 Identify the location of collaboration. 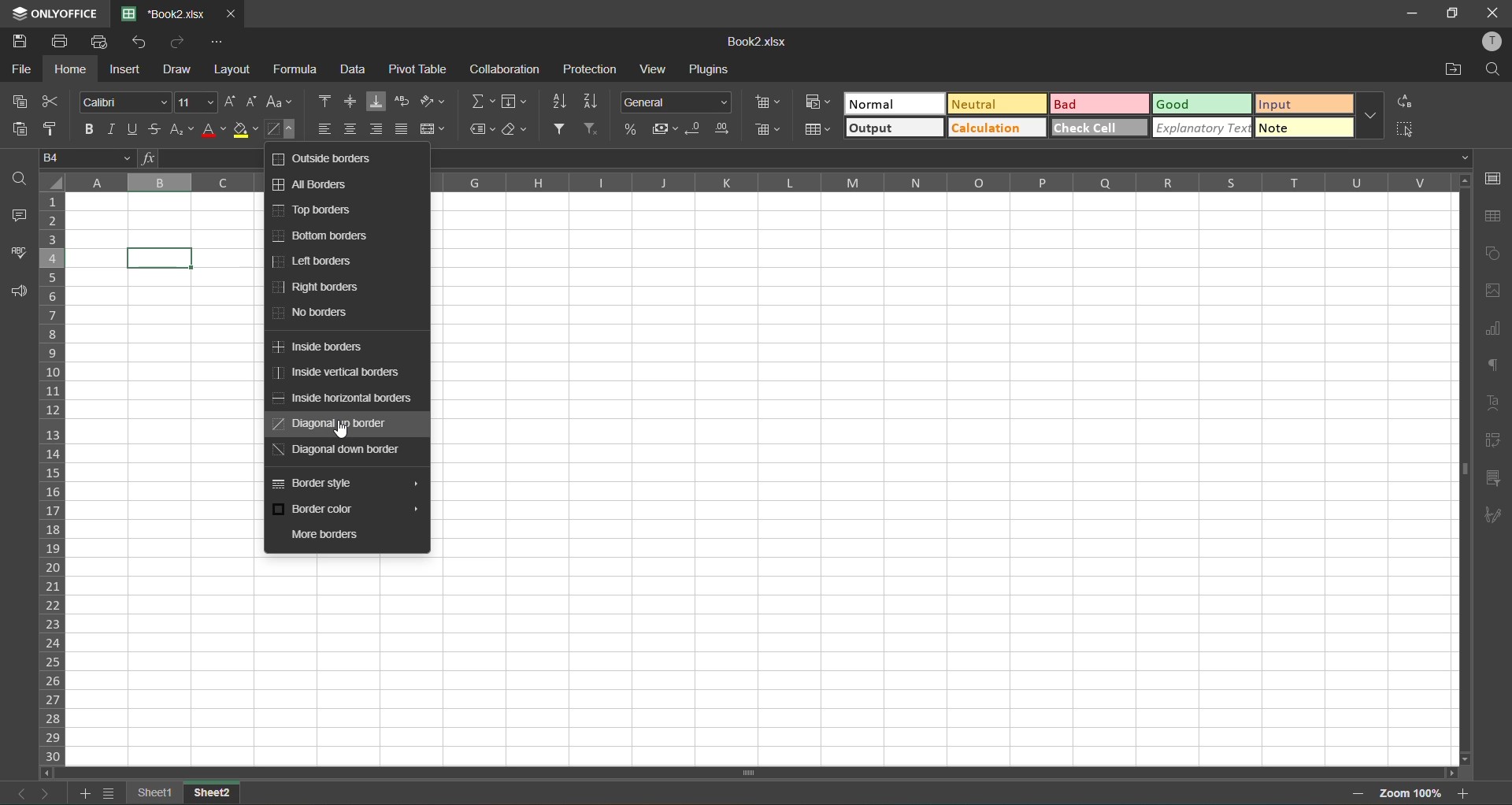
(510, 69).